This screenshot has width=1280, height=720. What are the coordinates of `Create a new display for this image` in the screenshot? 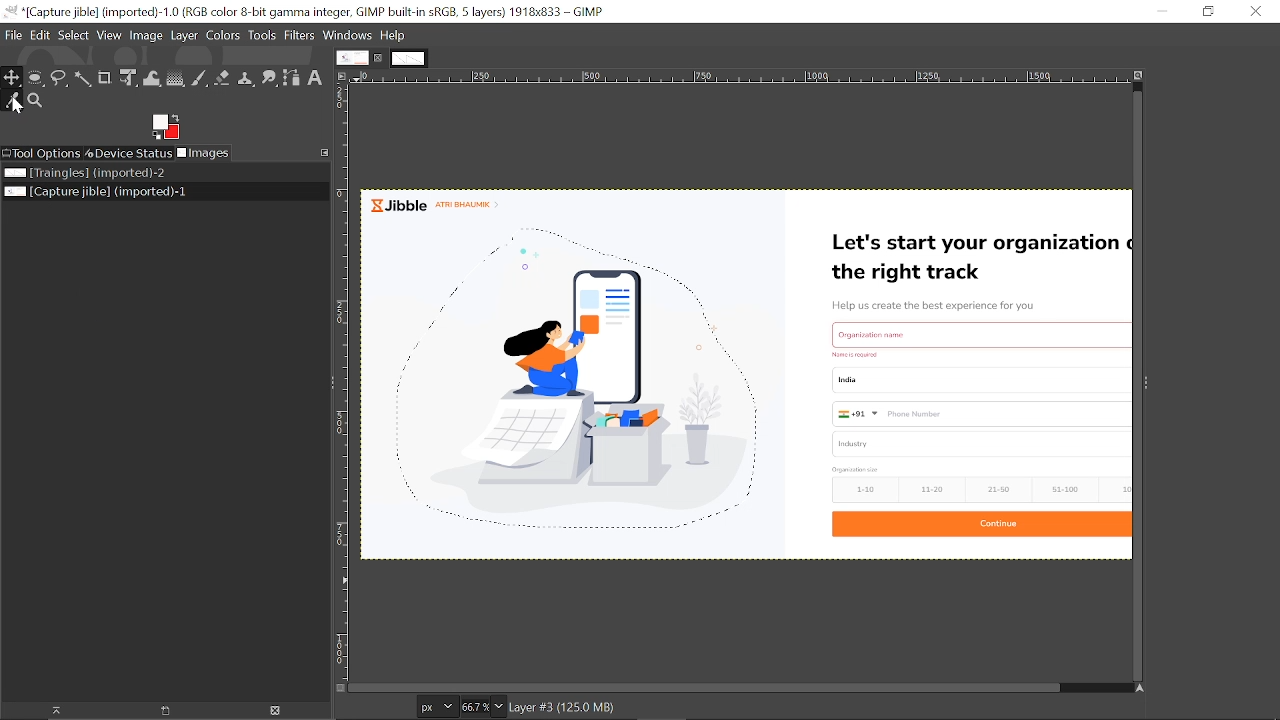 It's located at (160, 711).